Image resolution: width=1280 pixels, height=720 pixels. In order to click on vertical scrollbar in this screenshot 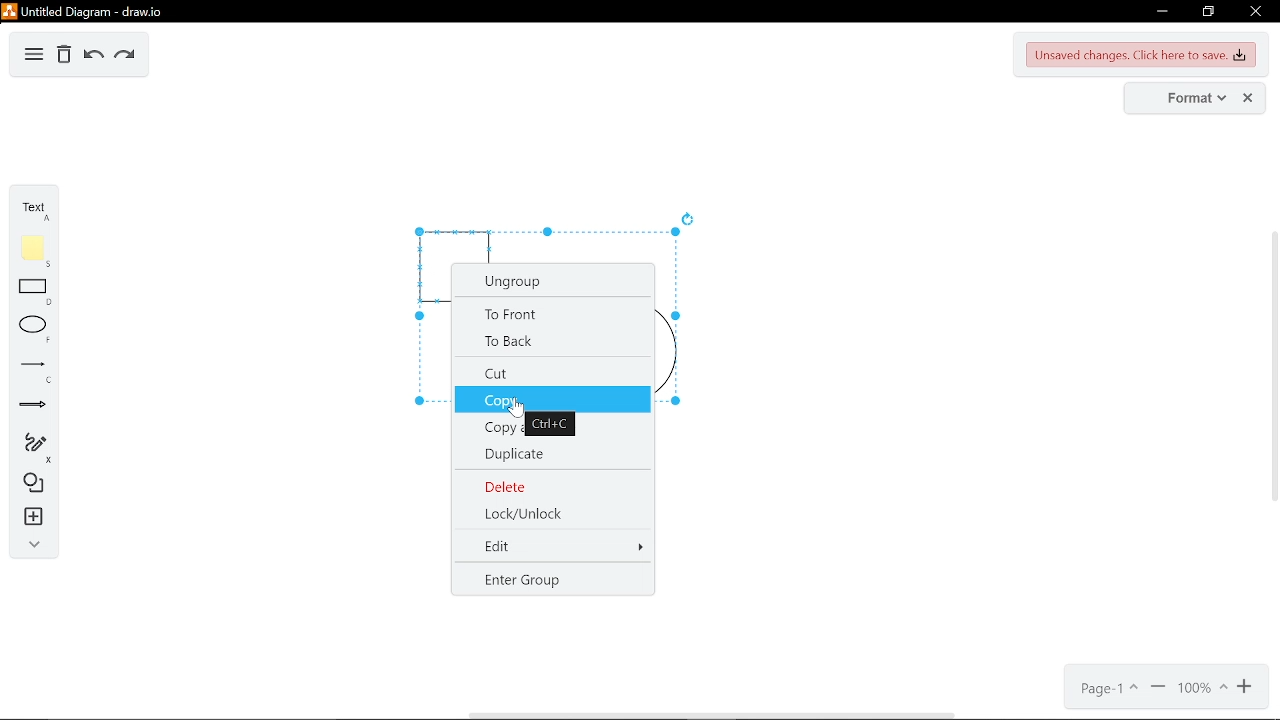, I will do `click(1272, 366)`.